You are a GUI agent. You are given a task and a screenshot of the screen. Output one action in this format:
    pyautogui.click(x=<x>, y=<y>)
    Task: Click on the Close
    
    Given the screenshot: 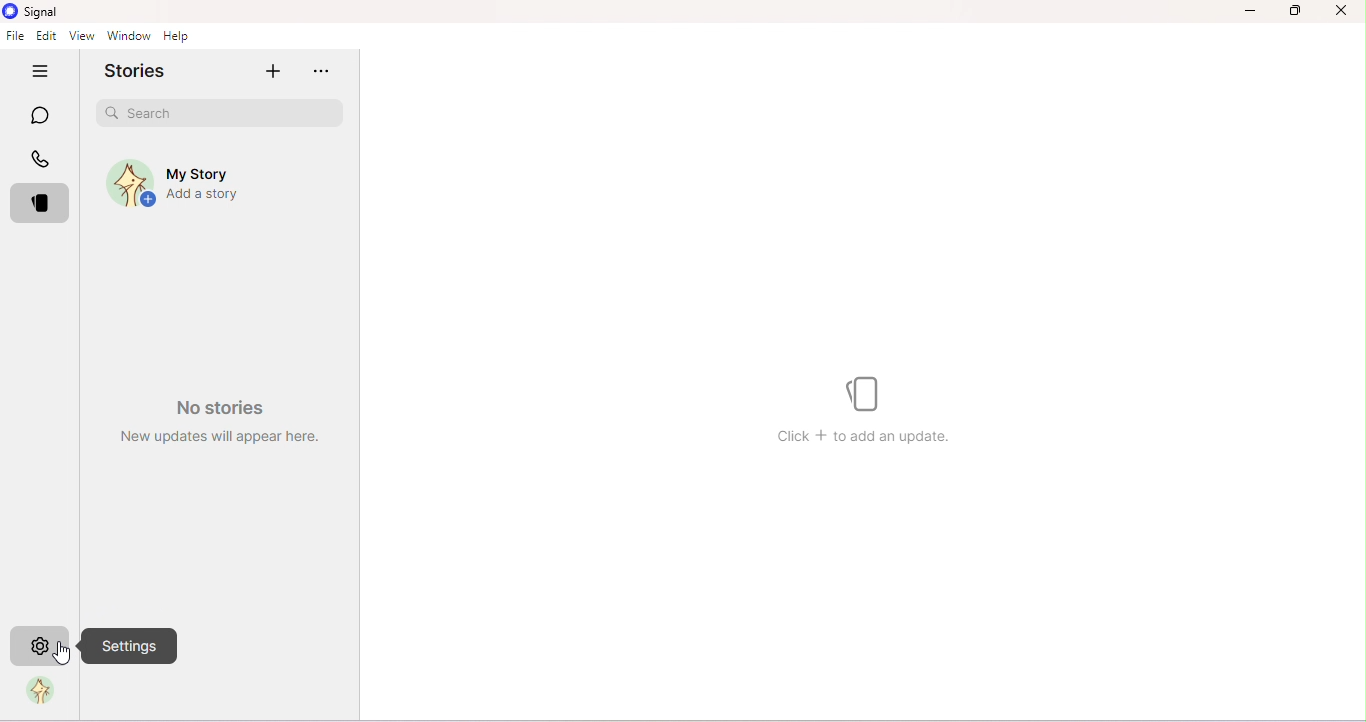 What is the action you would take?
    pyautogui.click(x=1339, y=12)
    